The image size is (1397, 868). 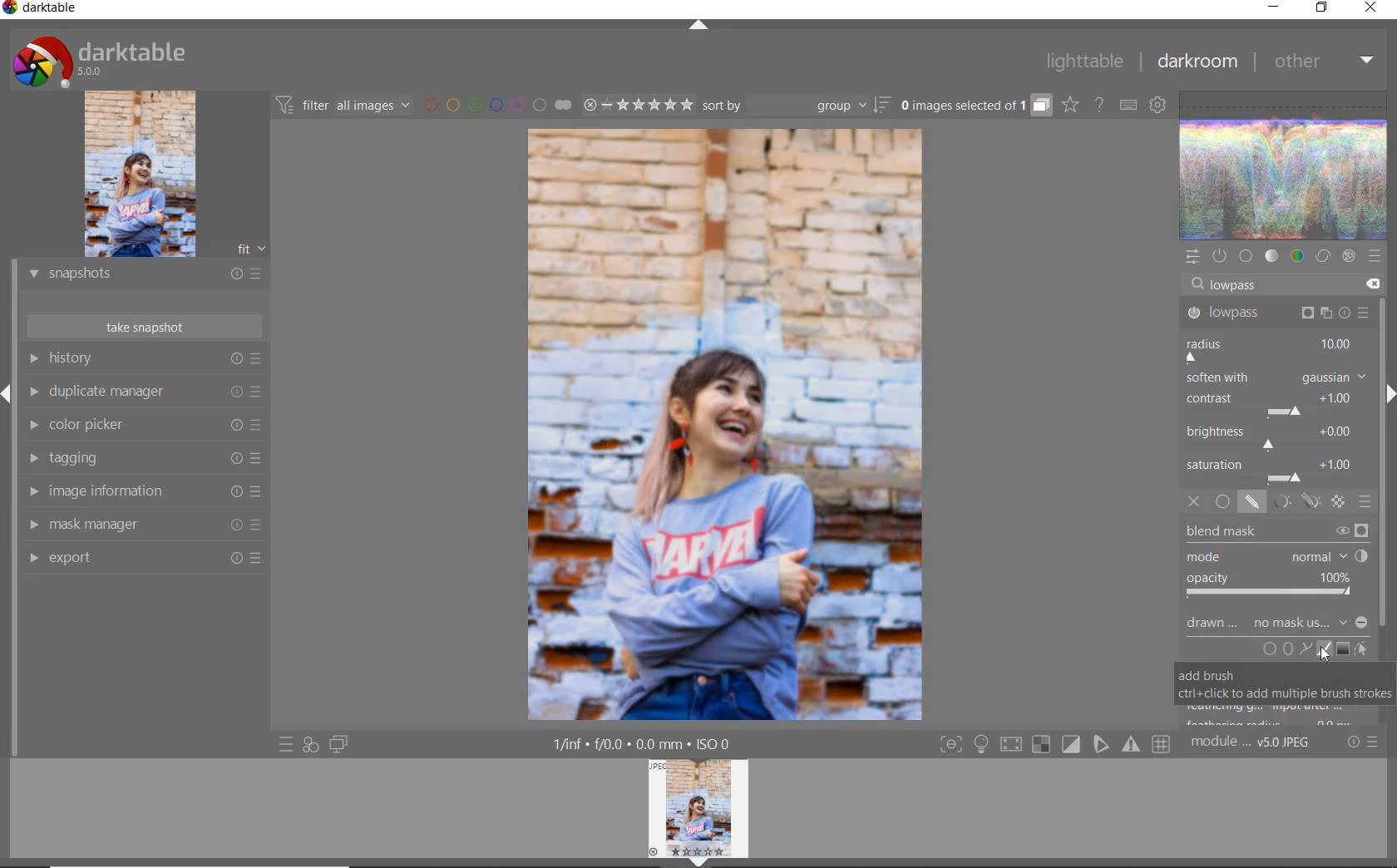 What do you see at coordinates (1271, 348) in the screenshot?
I see `radius` at bounding box center [1271, 348].